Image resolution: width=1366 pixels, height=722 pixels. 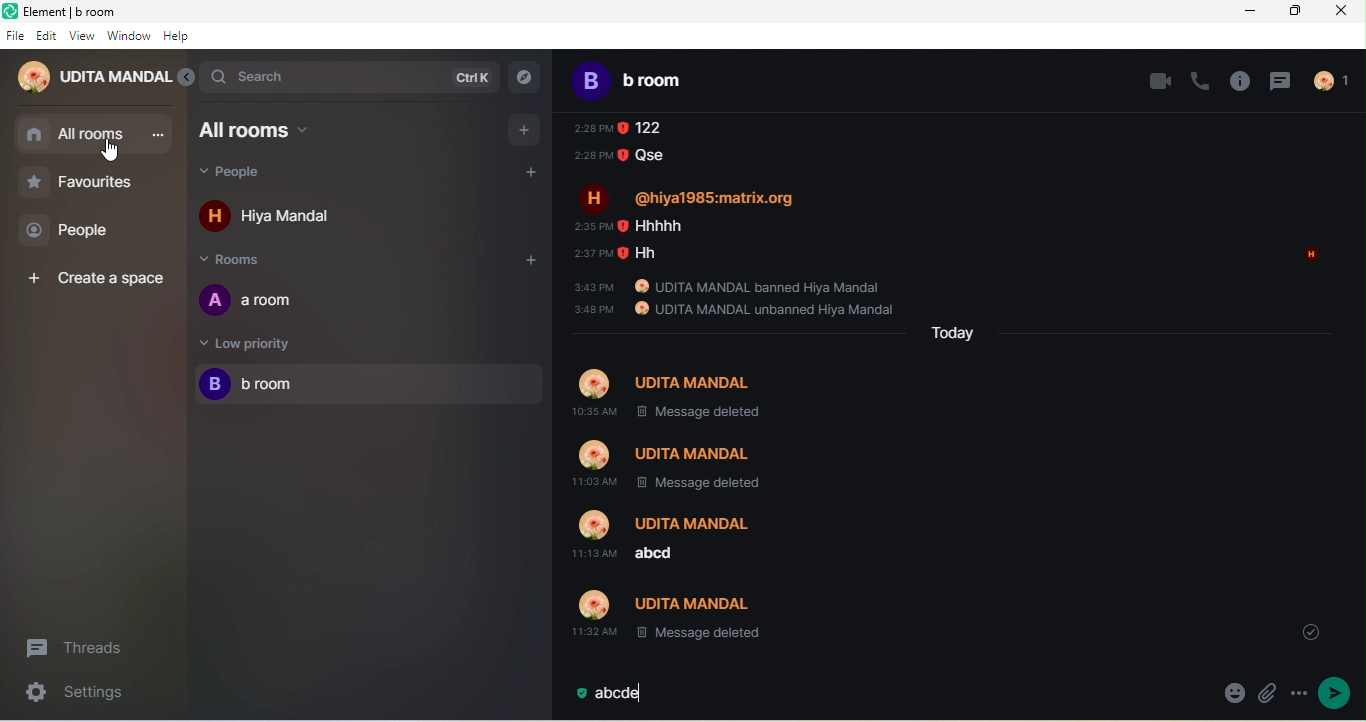 I want to click on close, so click(x=1344, y=14).